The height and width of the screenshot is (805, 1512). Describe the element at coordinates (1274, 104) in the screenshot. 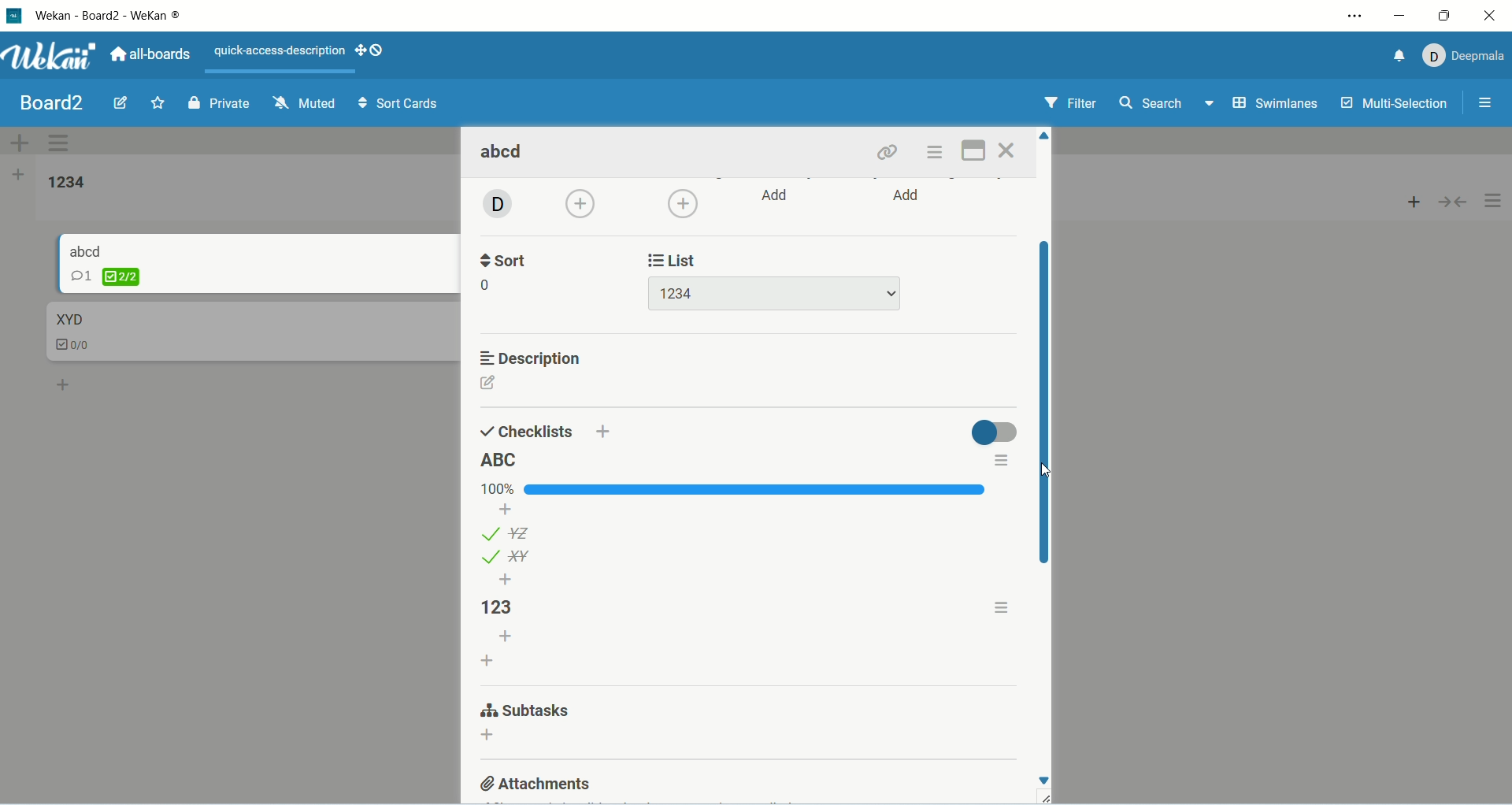

I see `swimlanes` at that location.